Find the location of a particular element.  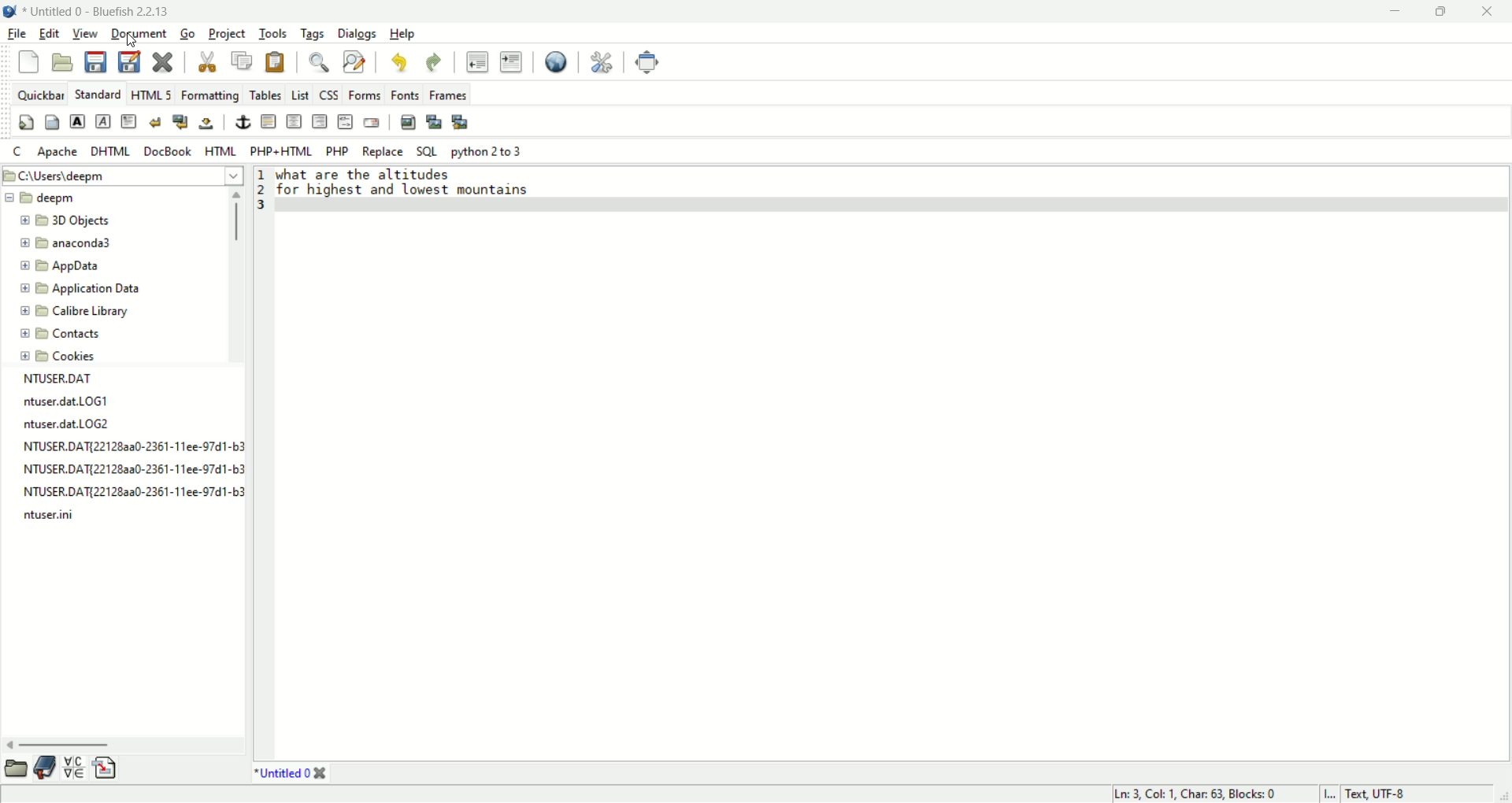

insert thumbnail is located at coordinates (432, 120).